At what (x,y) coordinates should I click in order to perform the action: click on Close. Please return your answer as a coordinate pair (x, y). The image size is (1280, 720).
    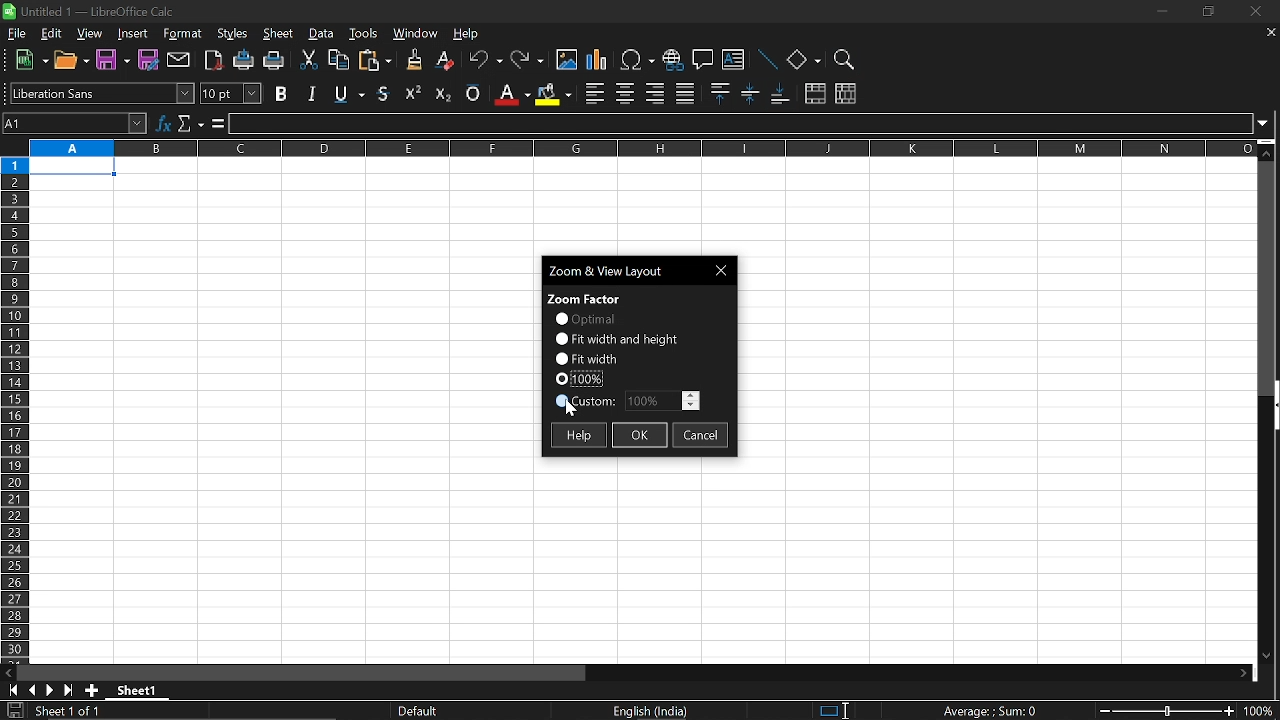
    Looking at the image, I should click on (724, 270).